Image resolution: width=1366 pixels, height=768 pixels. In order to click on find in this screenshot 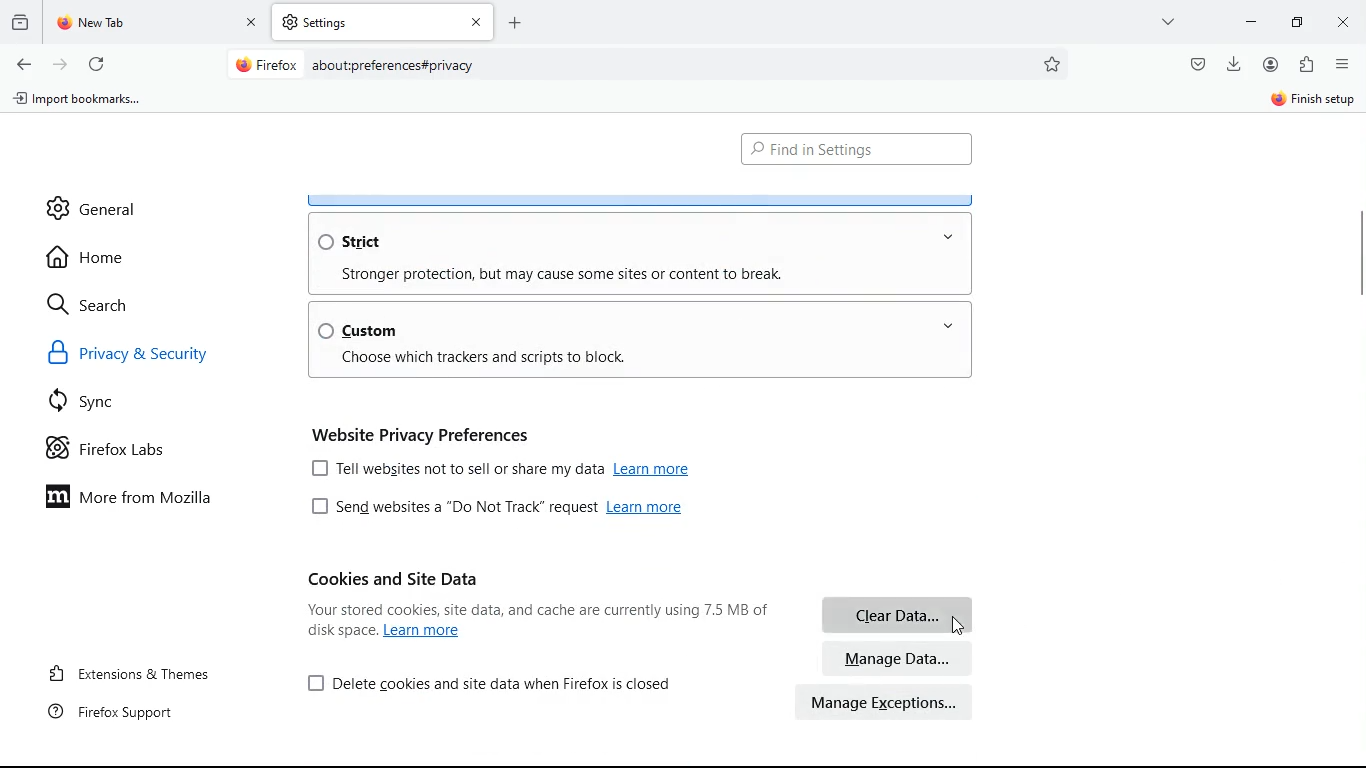, I will do `click(856, 150)`.